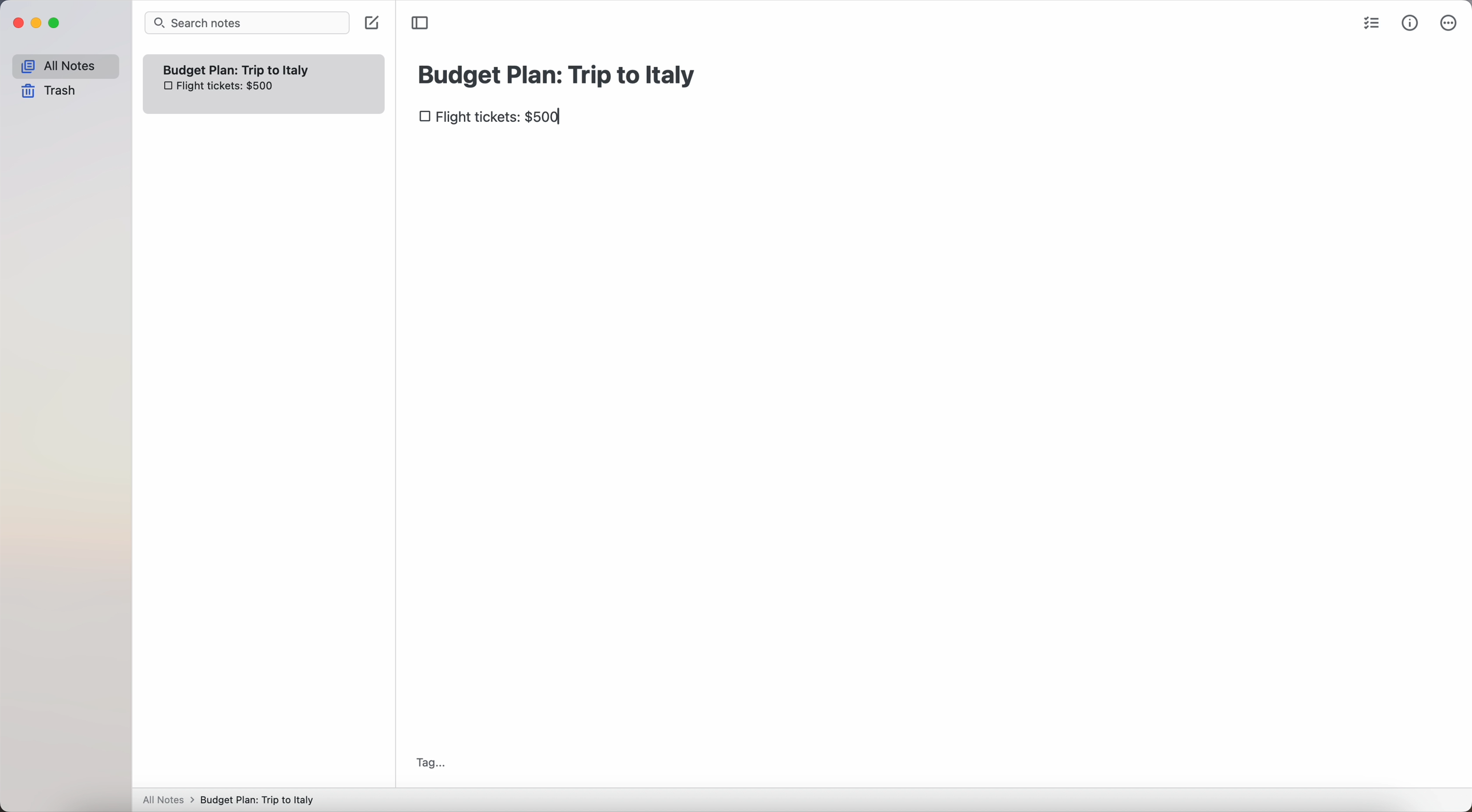  Describe the element at coordinates (421, 22) in the screenshot. I see `toggle sidebar` at that location.